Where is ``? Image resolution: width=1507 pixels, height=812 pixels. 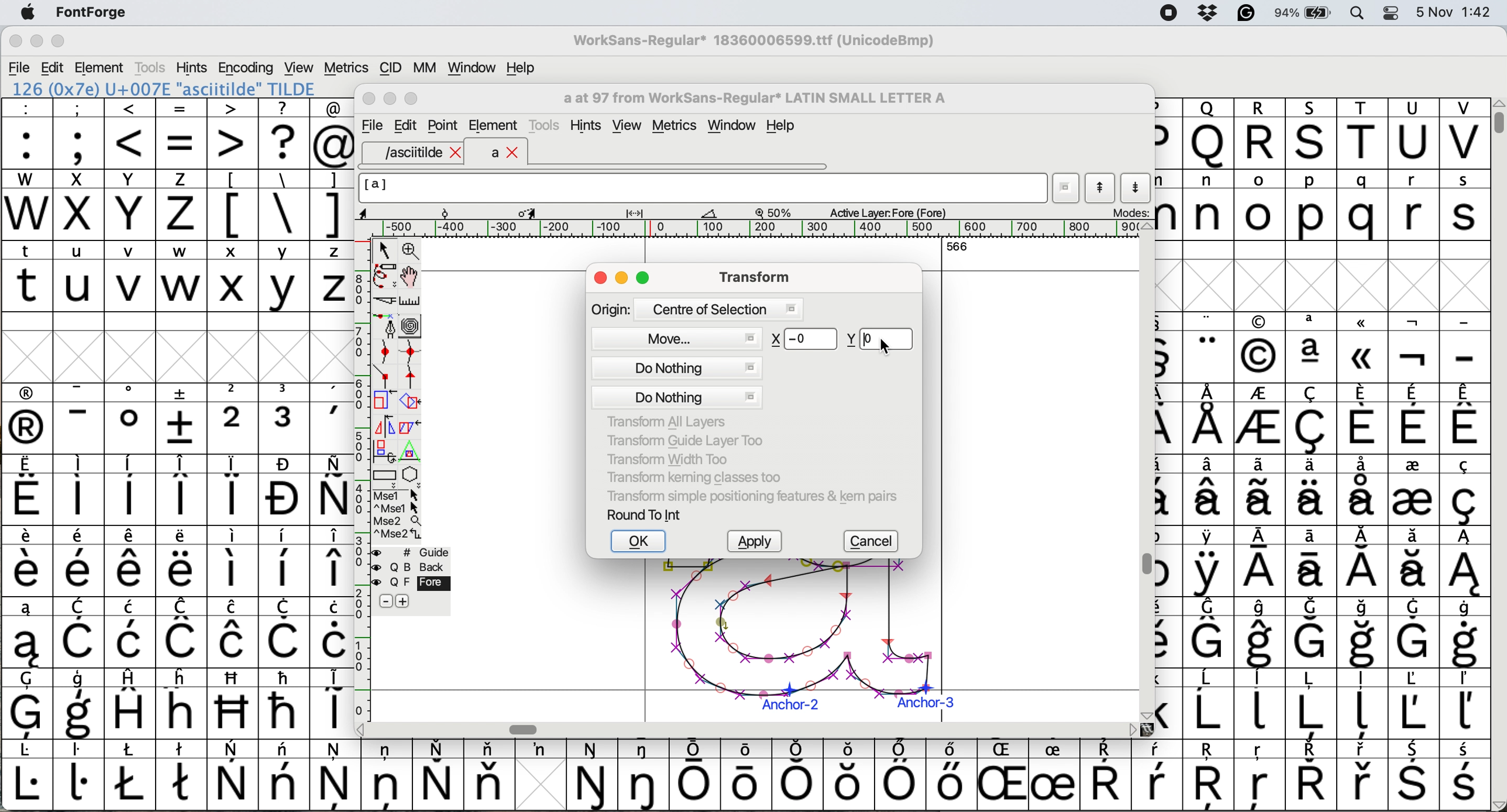  is located at coordinates (1364, 347).